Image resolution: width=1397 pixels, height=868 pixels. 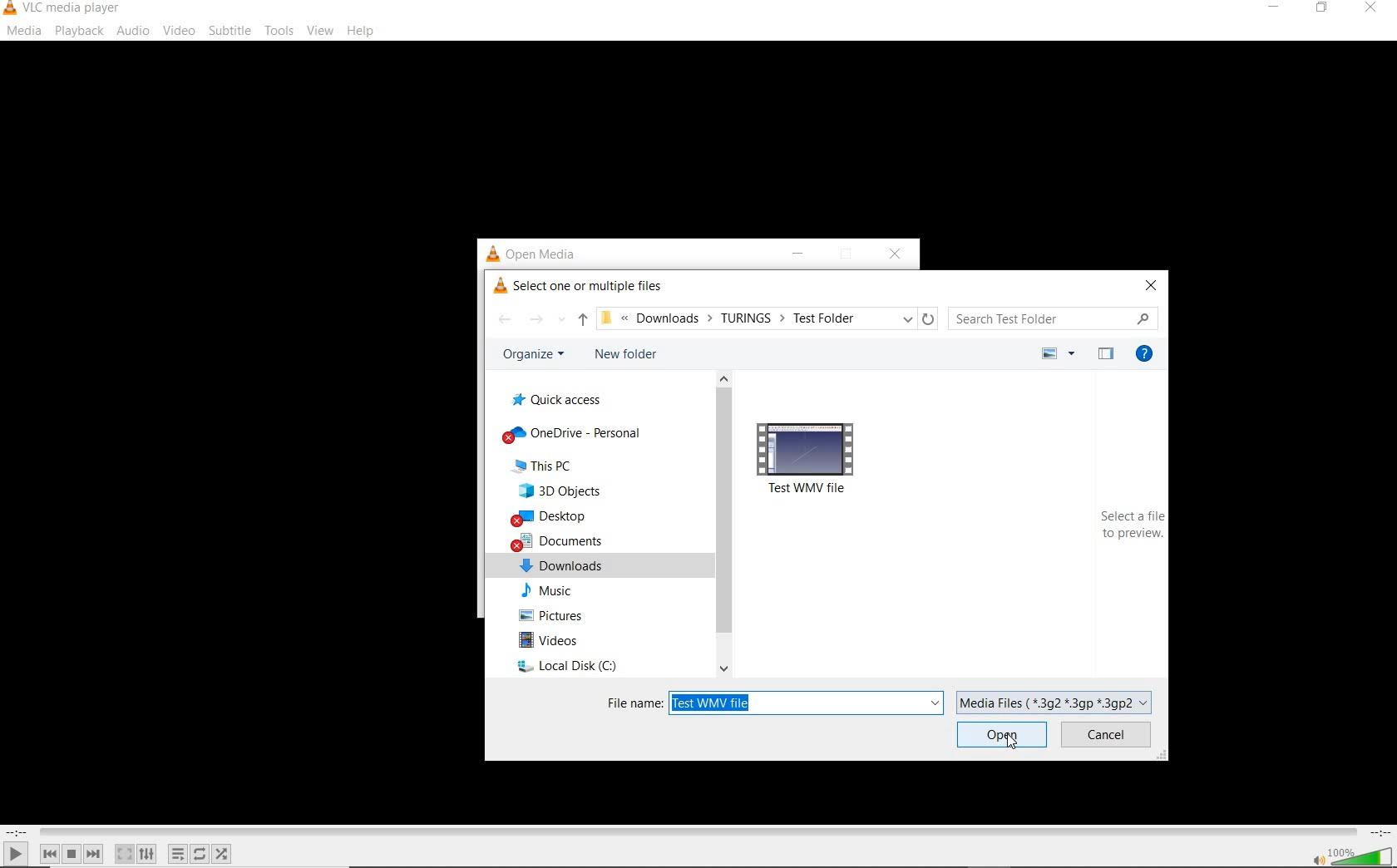 What do you see at coordinates (846, 256) in the screenshot?
I see `restore down` at bounding box center [846, 256].